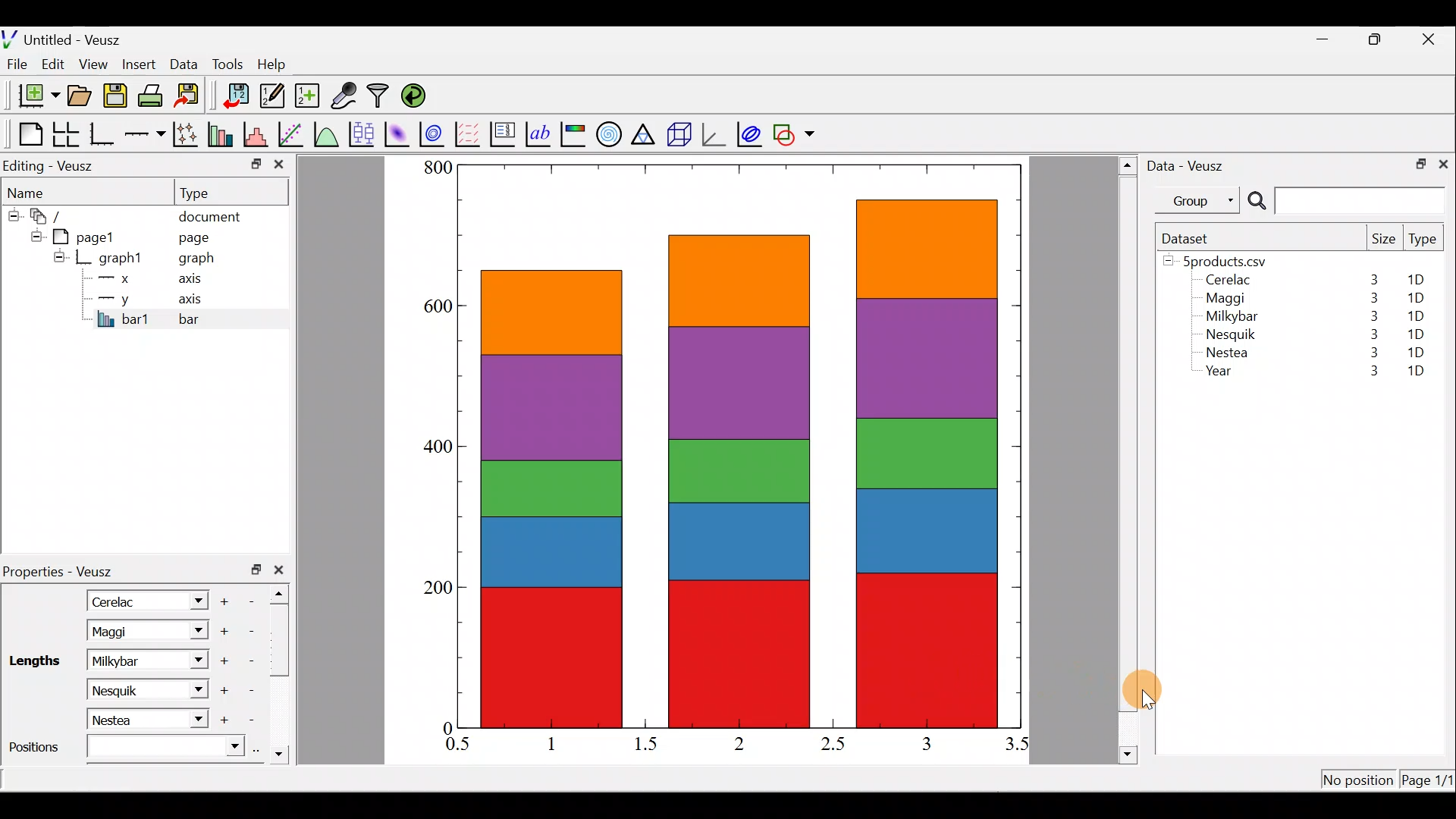 The image size is (1456, 819). I want to click on 3, so click(1366, 372).